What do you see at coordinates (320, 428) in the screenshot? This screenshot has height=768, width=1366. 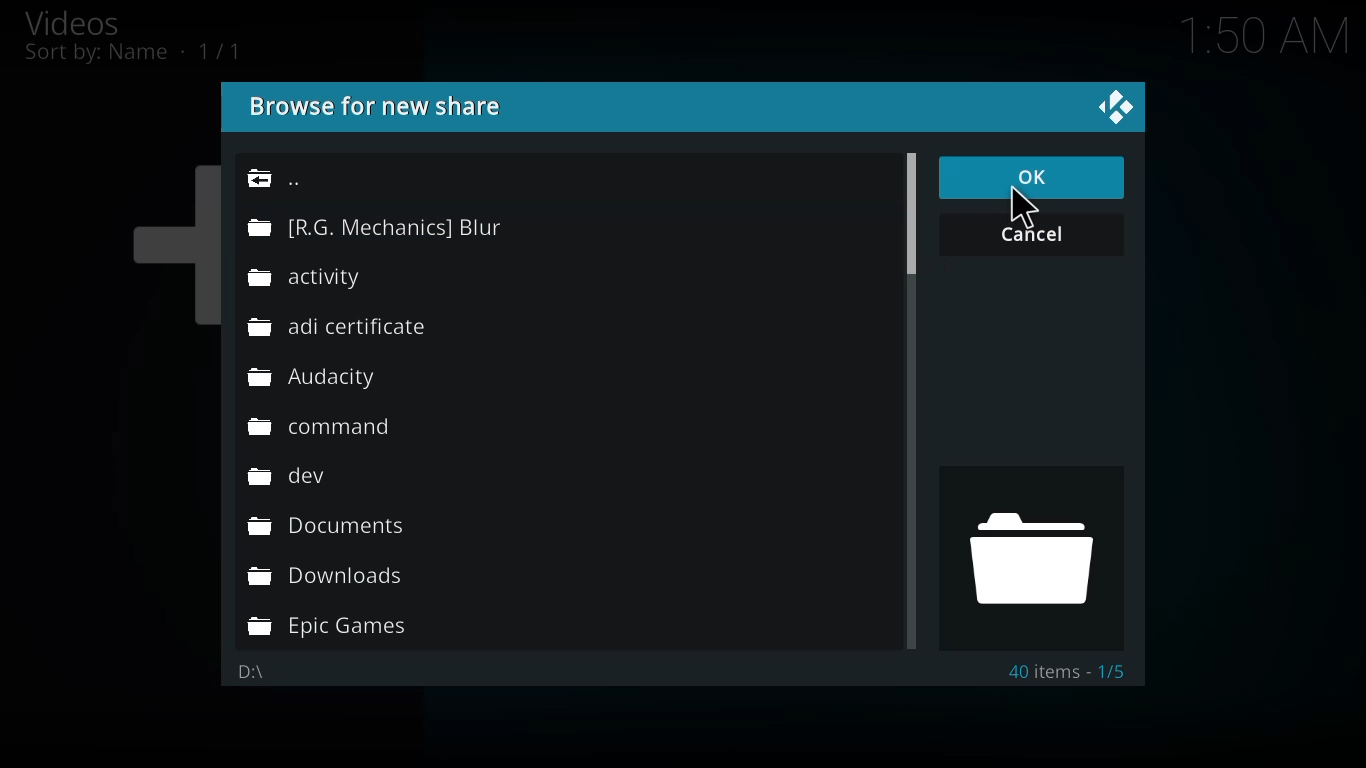 I see `folder` at bounding box center [320, 428].